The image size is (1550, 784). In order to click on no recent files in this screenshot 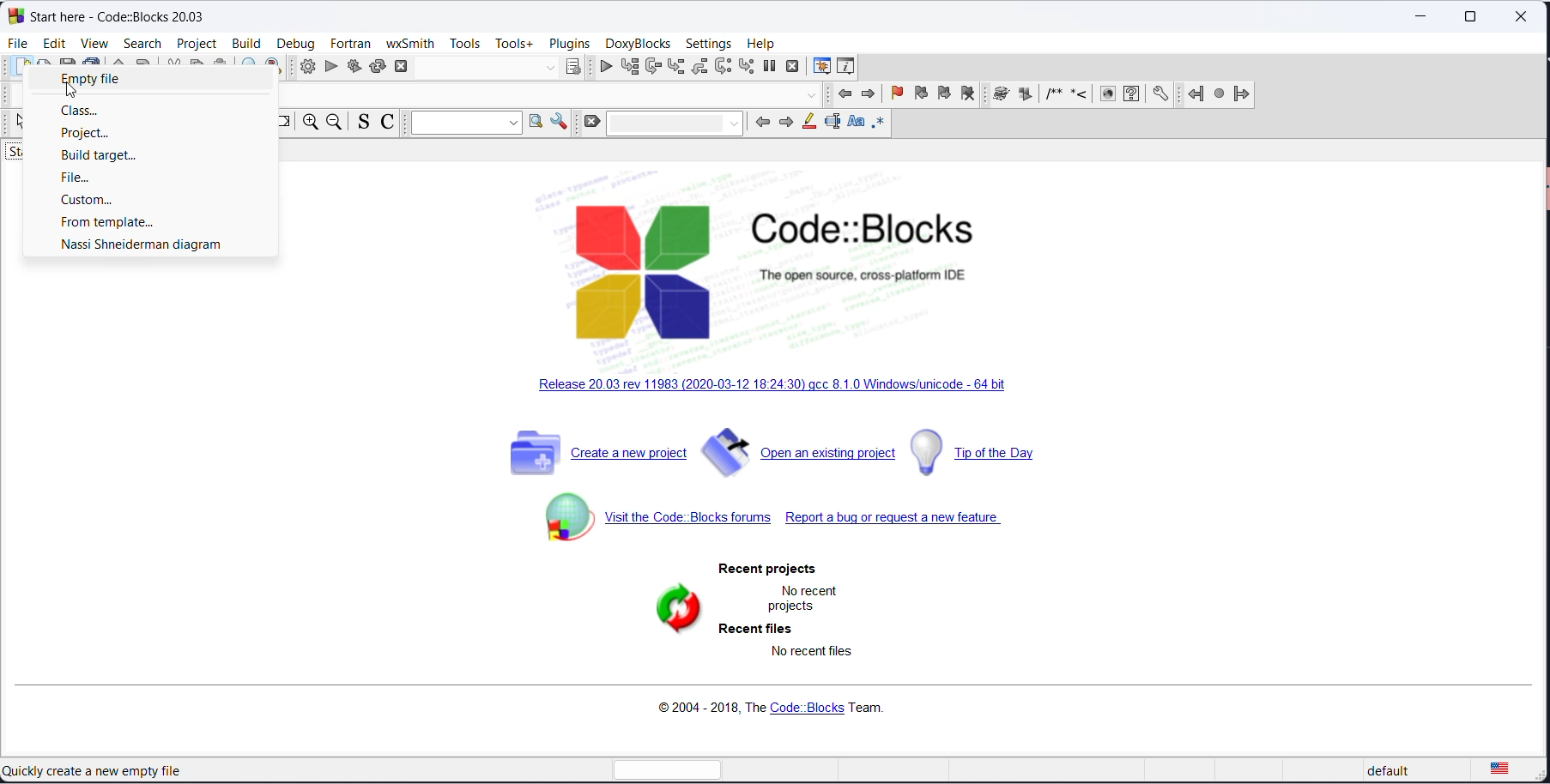, I will do `click(814, 654)`.